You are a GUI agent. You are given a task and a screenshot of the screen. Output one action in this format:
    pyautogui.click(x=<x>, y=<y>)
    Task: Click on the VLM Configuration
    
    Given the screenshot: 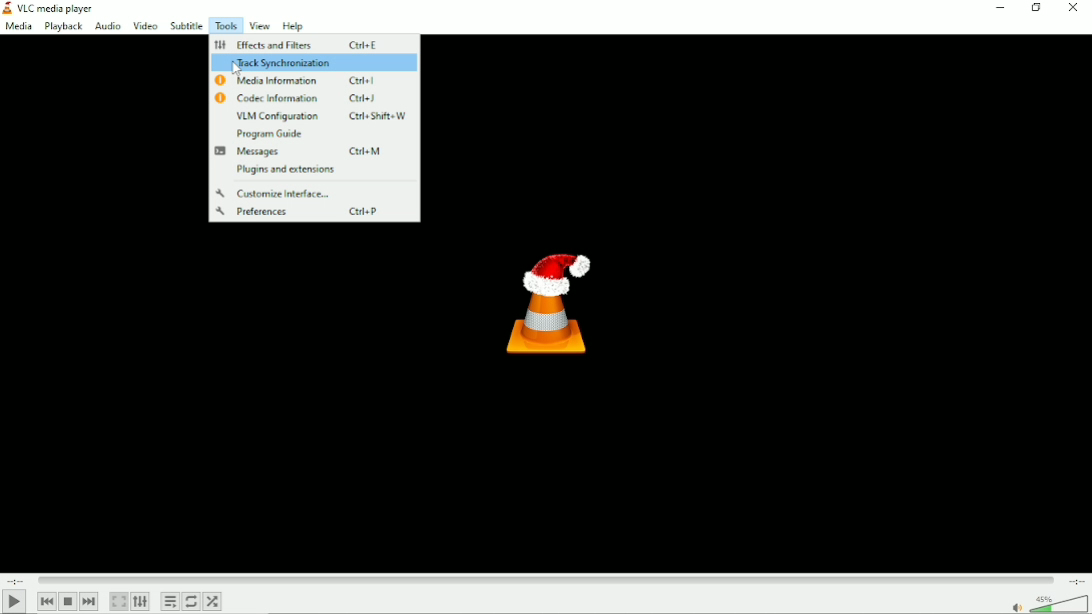 What is the action you would take?
    pyautogui.click(x=319, y=116)
    